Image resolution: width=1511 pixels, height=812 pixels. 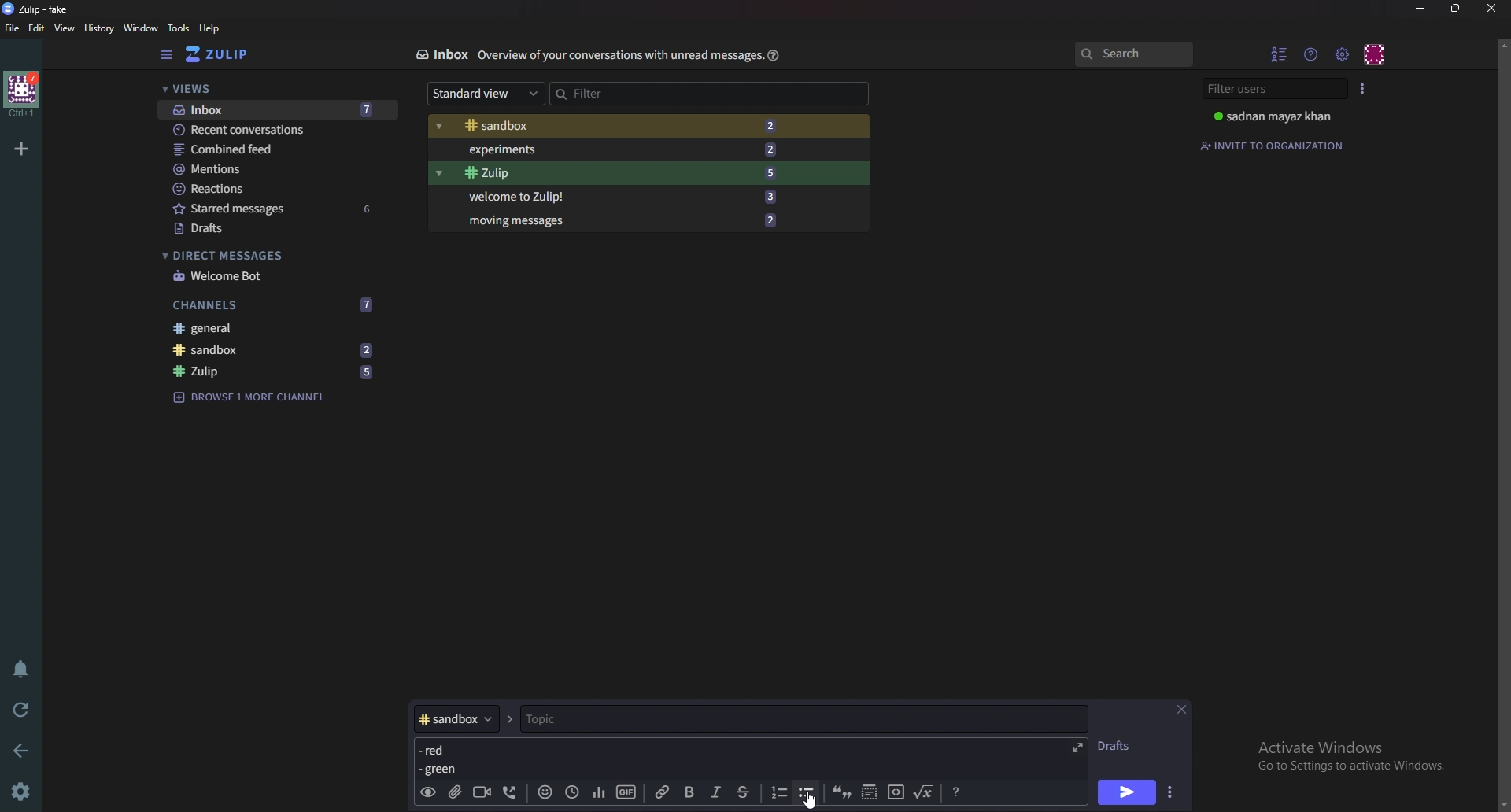 What do you see at coordinates (618, 149) in the screenshot?
I see `Experiments` at bounding box center [618, 149].